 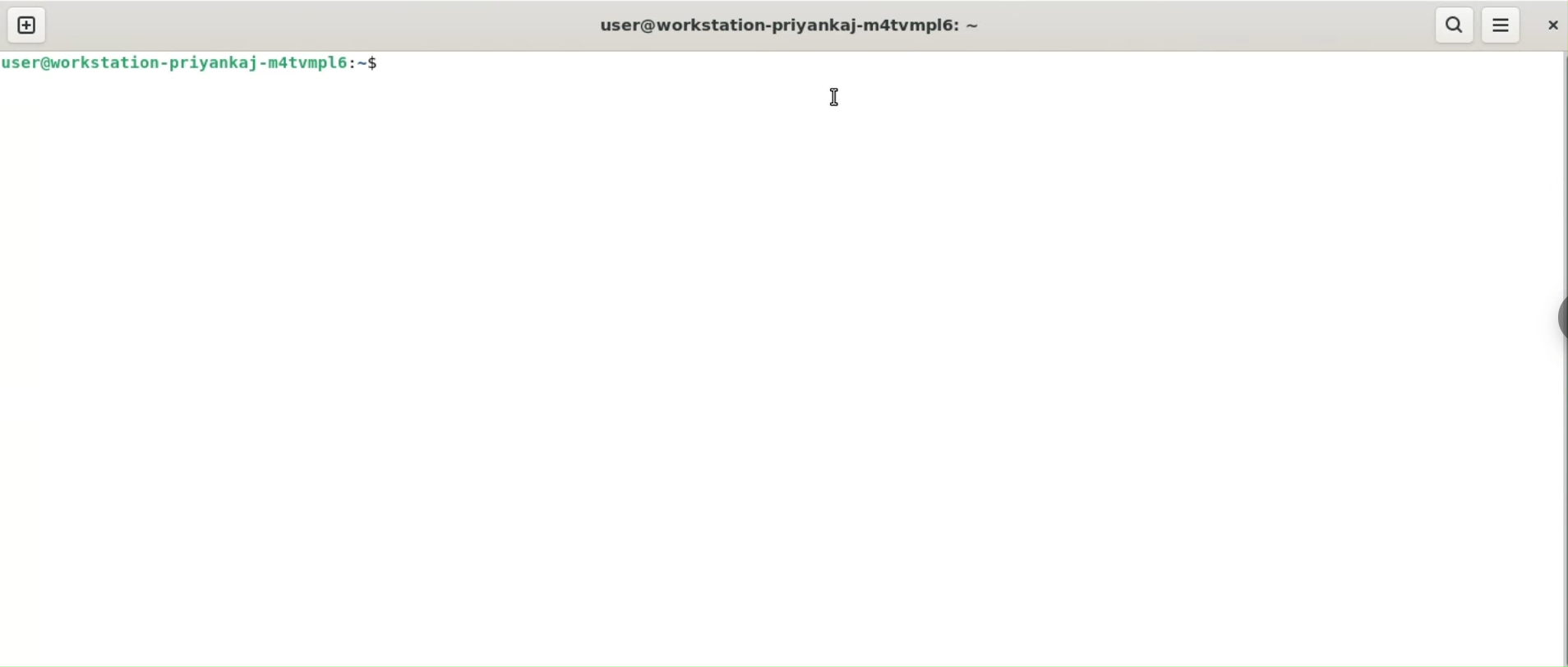 I want to click on new tab, so click(x=27, y=26).